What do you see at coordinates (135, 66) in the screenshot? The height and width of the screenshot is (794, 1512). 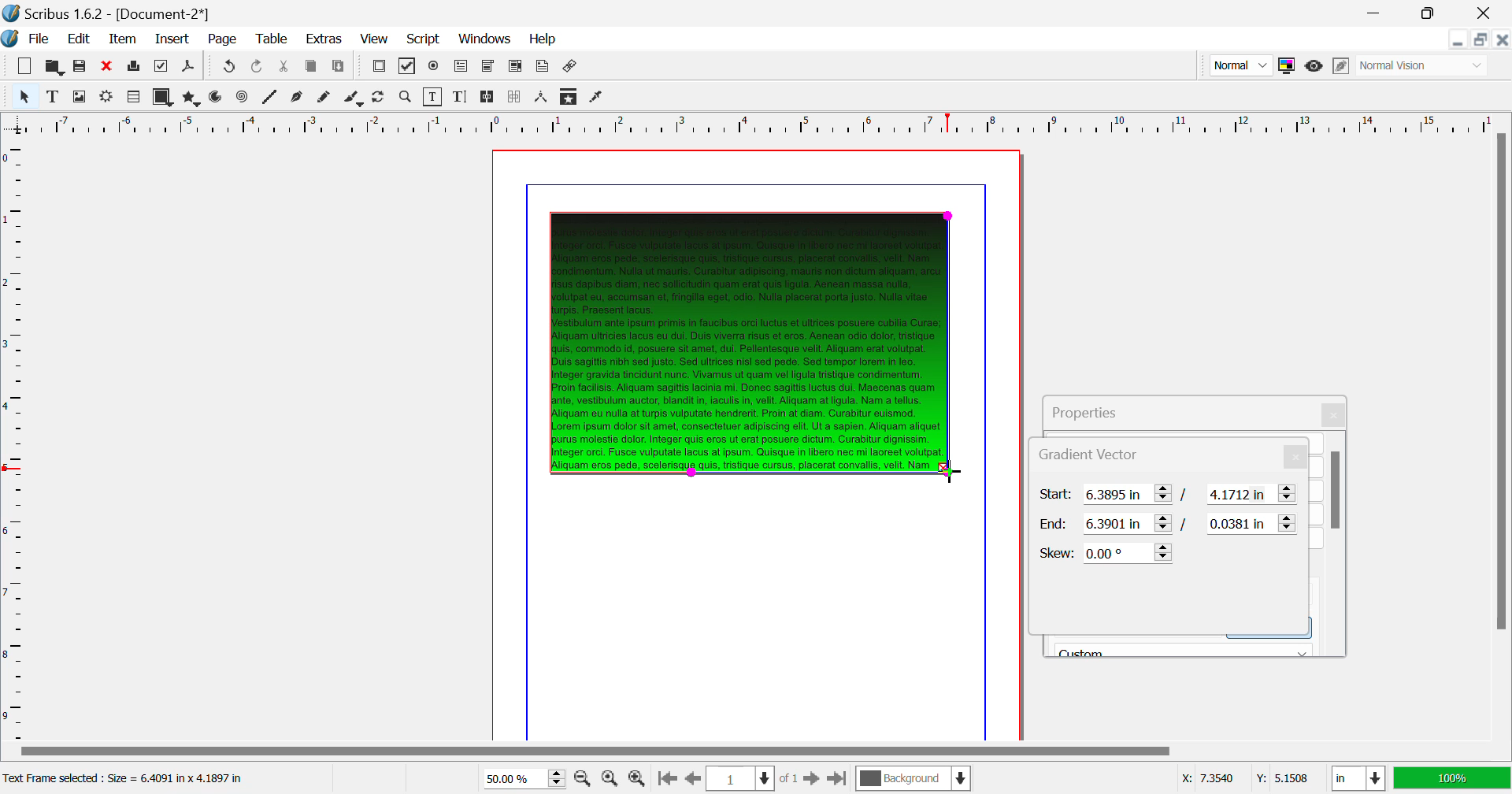 I see `Print` at bounding box center [135, 66].